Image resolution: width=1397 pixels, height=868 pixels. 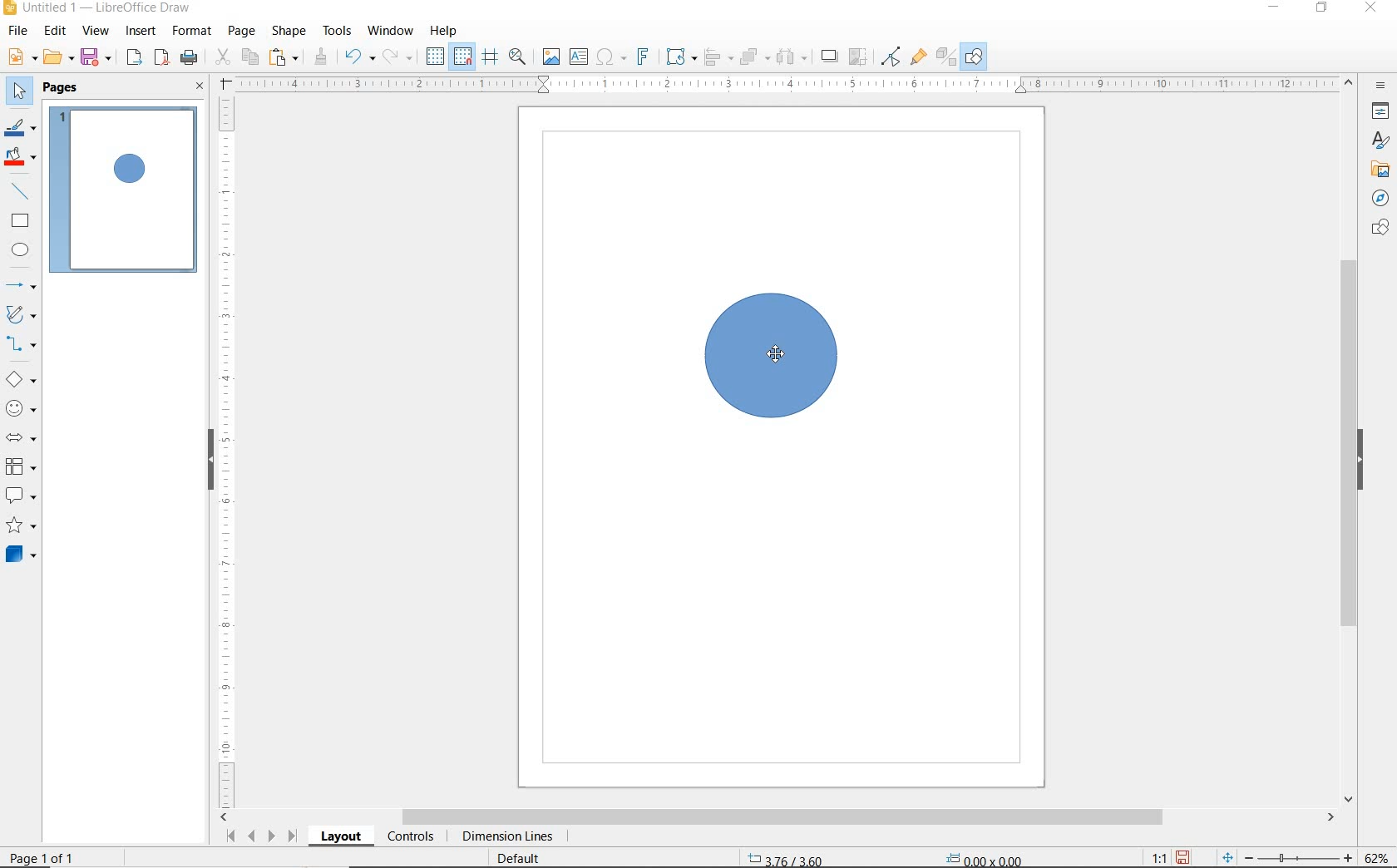 I want to click on FORMAT, so click(x=193, y=31).